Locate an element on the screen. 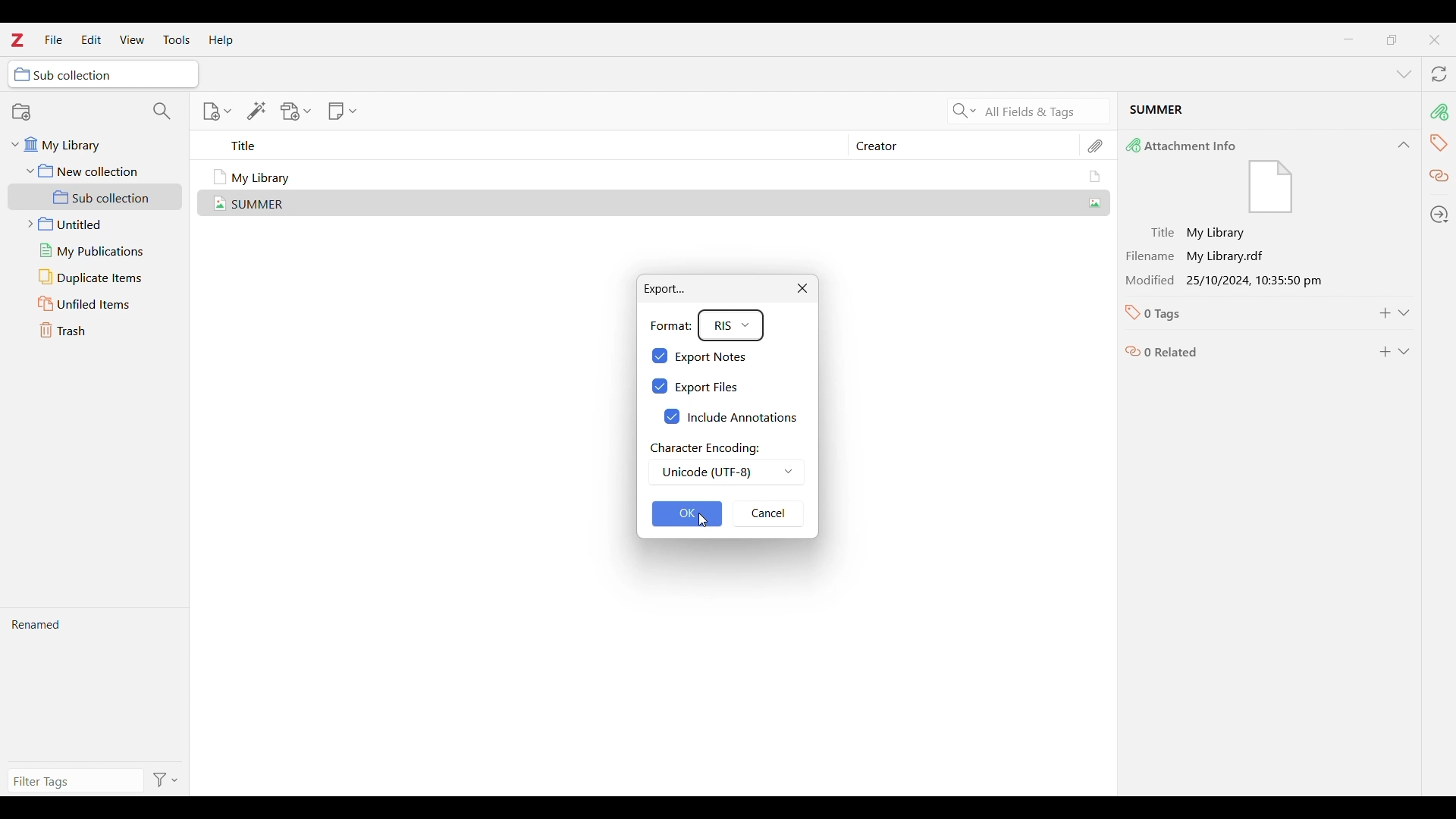  0 Tags is located at coordinates (1238, 313).